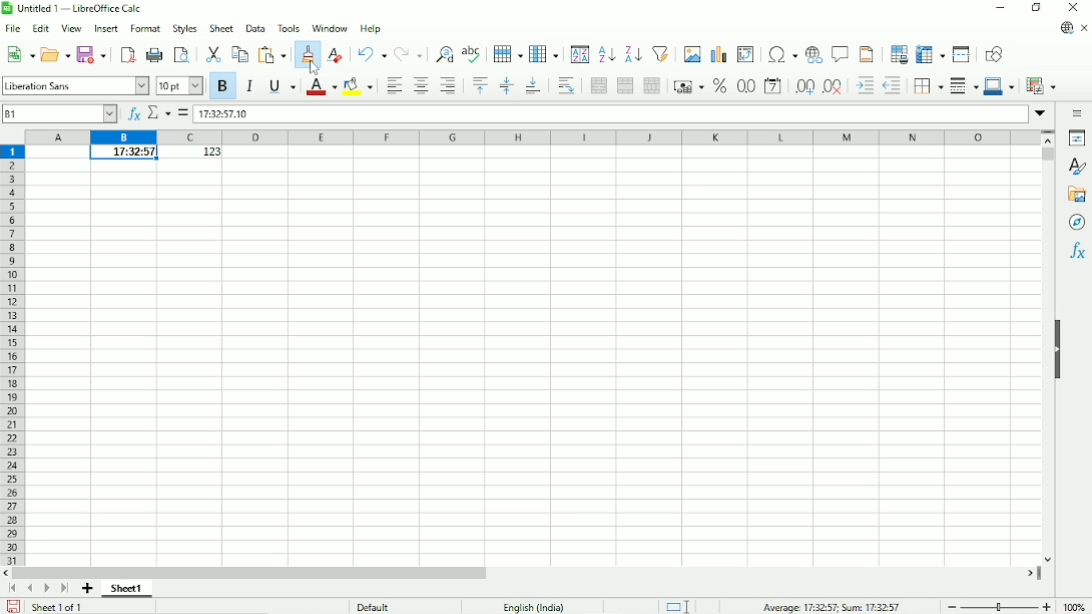 This screenshot has height=614, width=1092. Describe the element at coordinates (59, 113) in the screenshot. I see `Cell name` at that location.